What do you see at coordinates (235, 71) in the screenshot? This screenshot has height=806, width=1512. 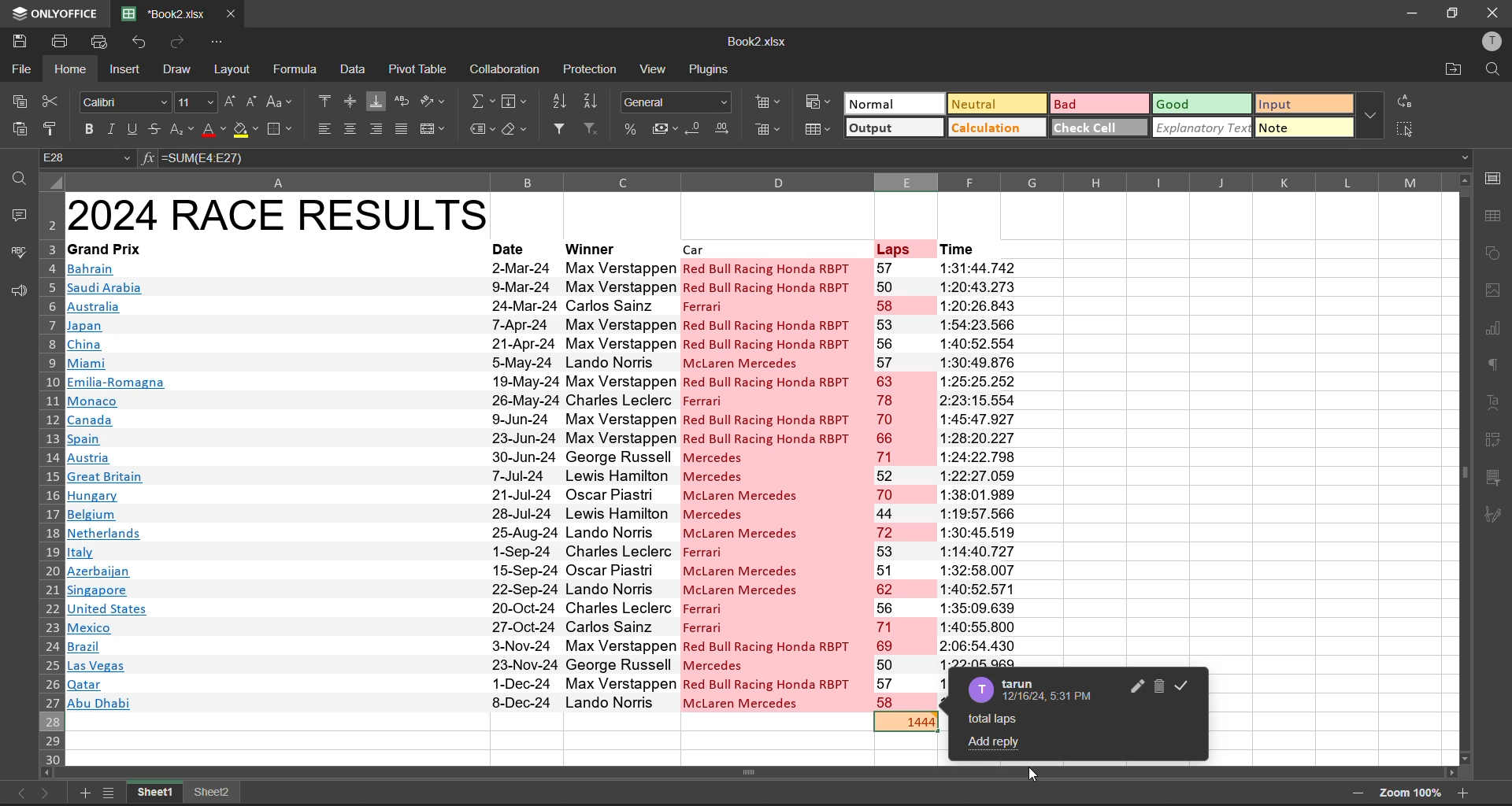 I see `layout` at bounding box center [235, 71].